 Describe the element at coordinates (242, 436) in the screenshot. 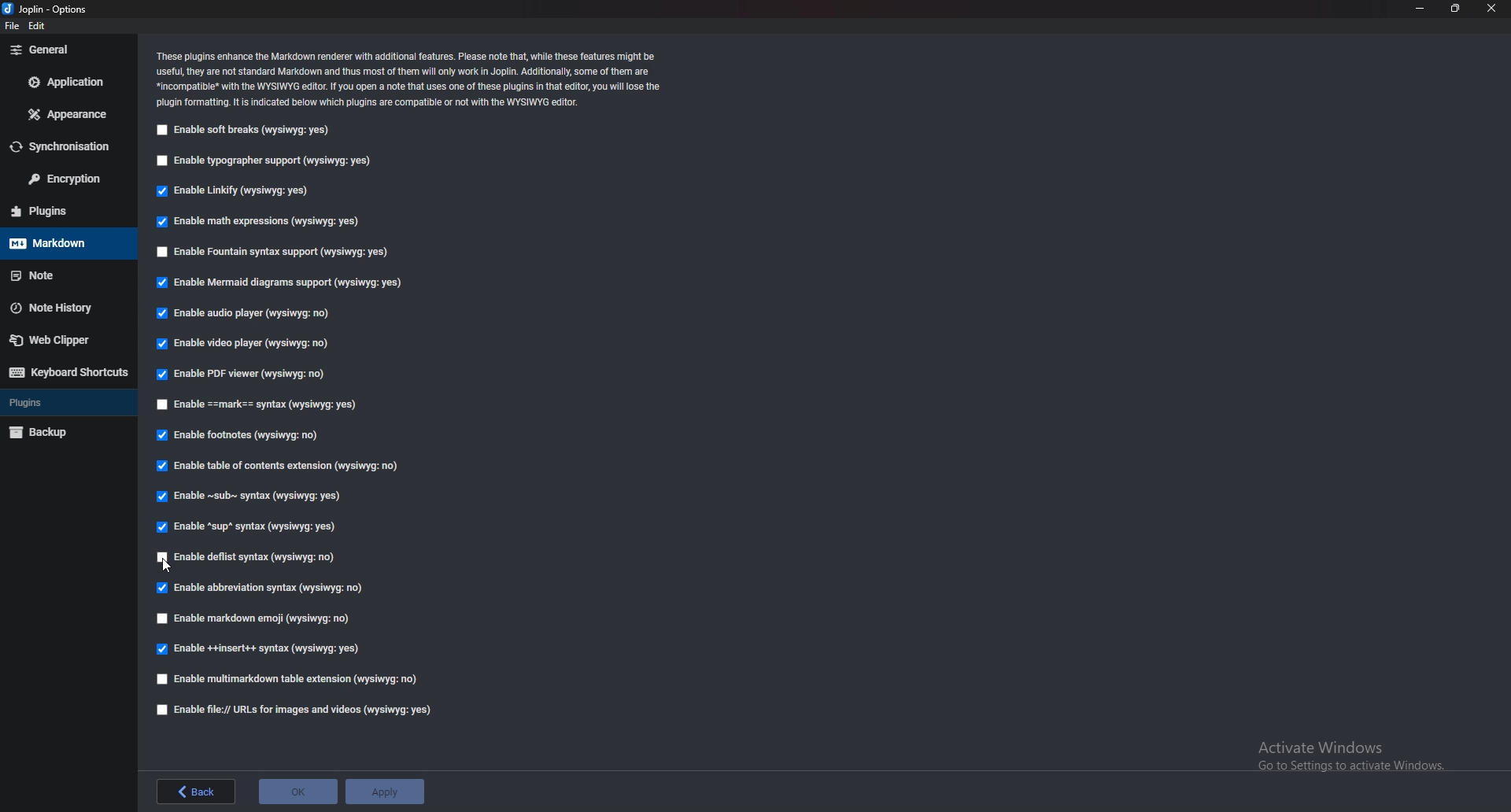

I see `Enable footnotes` at that location.